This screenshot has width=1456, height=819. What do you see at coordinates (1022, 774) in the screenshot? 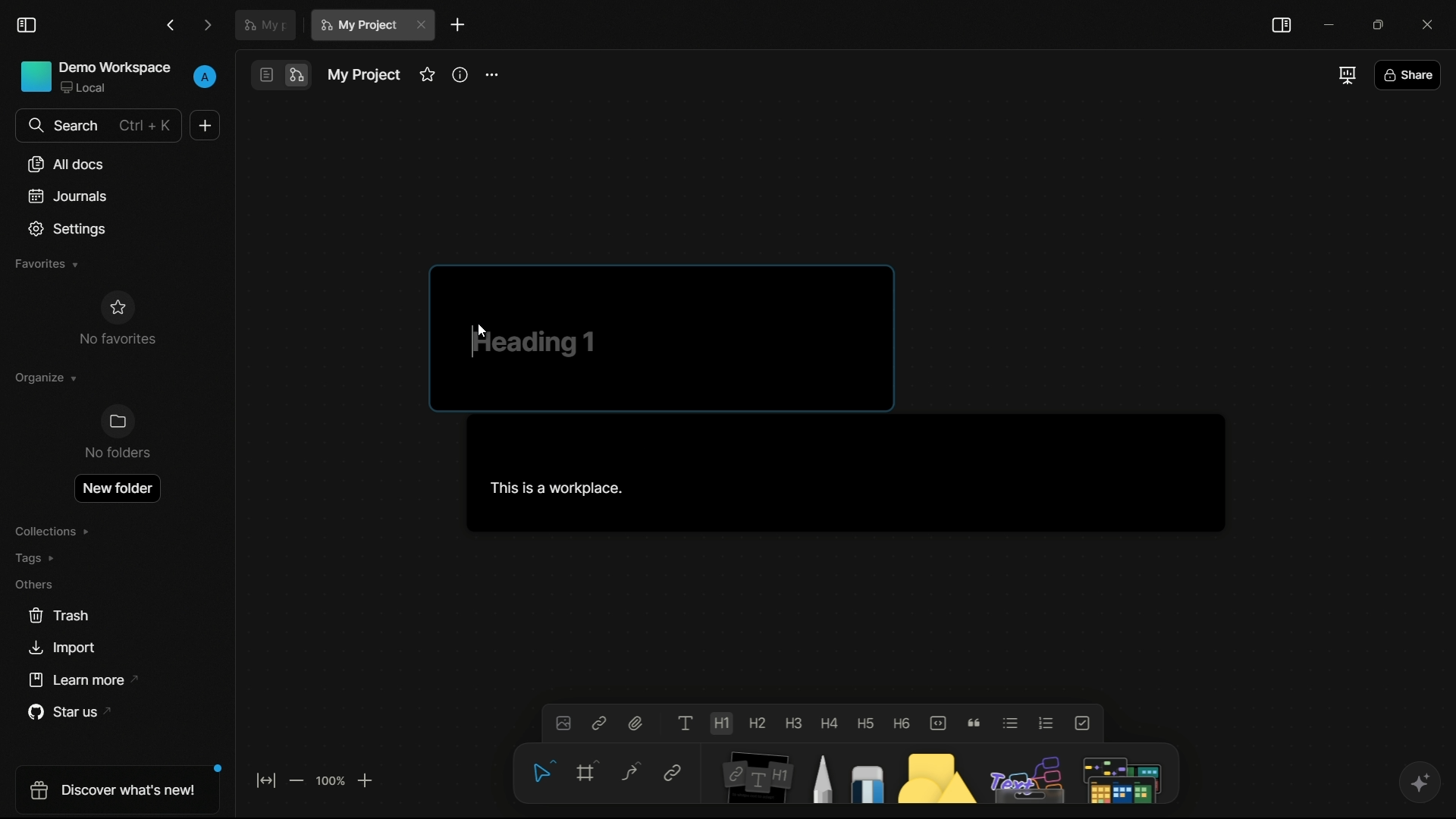
I see `others` at bounding box center [1022, 774].